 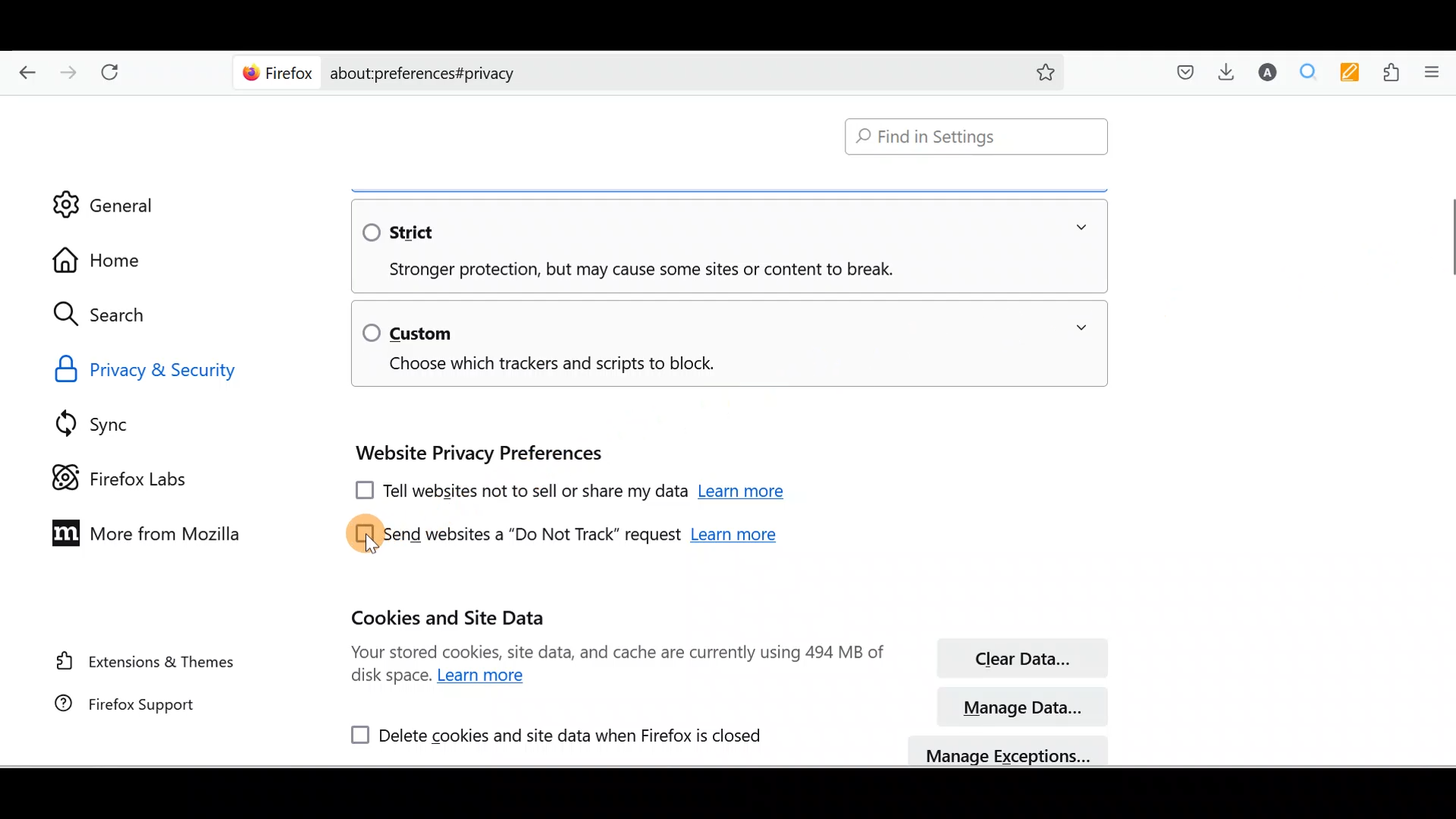 I want to click on Search, so click(x=106, y=314).